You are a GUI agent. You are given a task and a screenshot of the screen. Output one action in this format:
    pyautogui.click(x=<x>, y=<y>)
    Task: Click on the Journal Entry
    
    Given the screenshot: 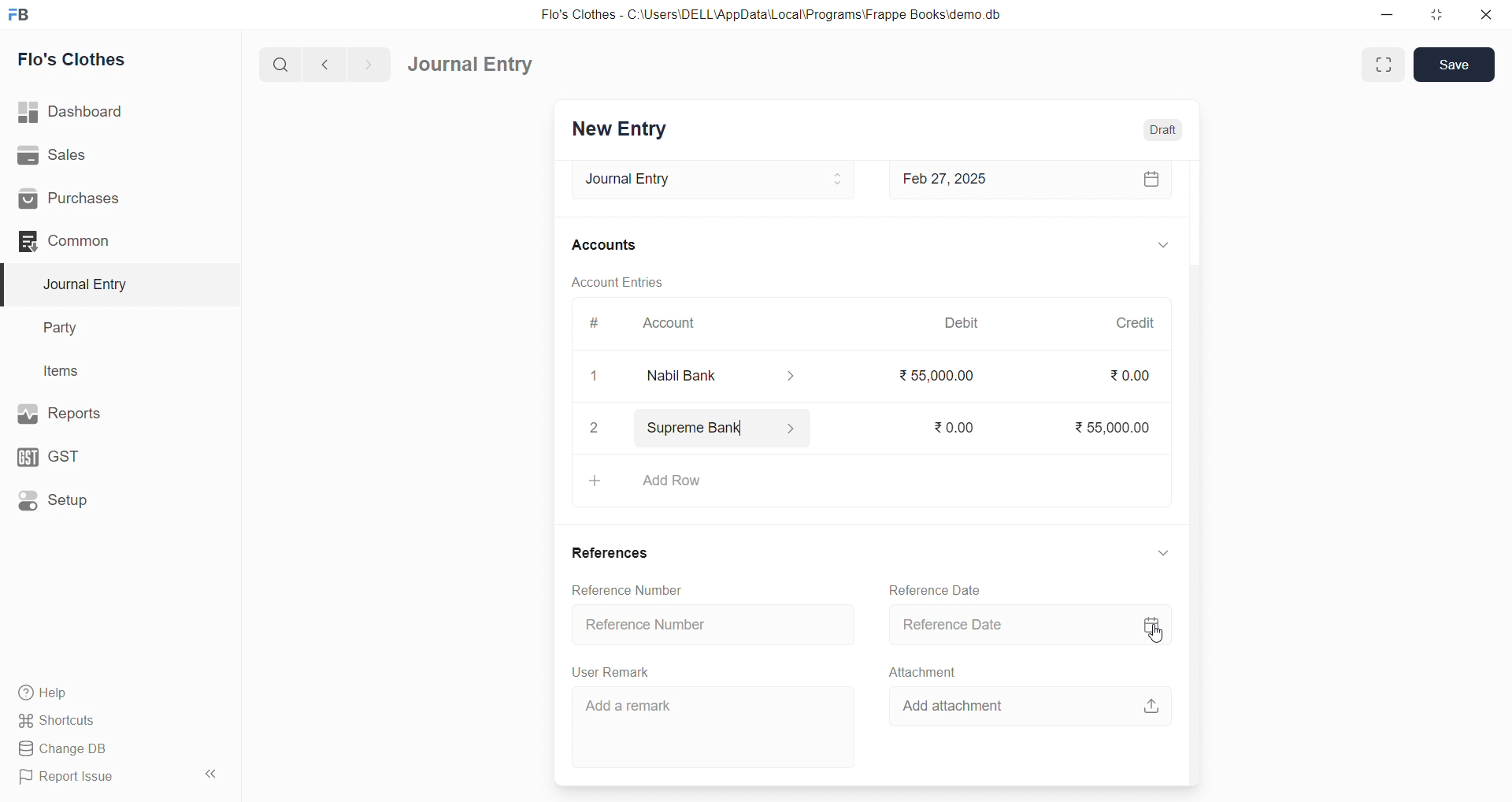 What is the action you would take?
    pyautogui.click(x=471, y=64)
    